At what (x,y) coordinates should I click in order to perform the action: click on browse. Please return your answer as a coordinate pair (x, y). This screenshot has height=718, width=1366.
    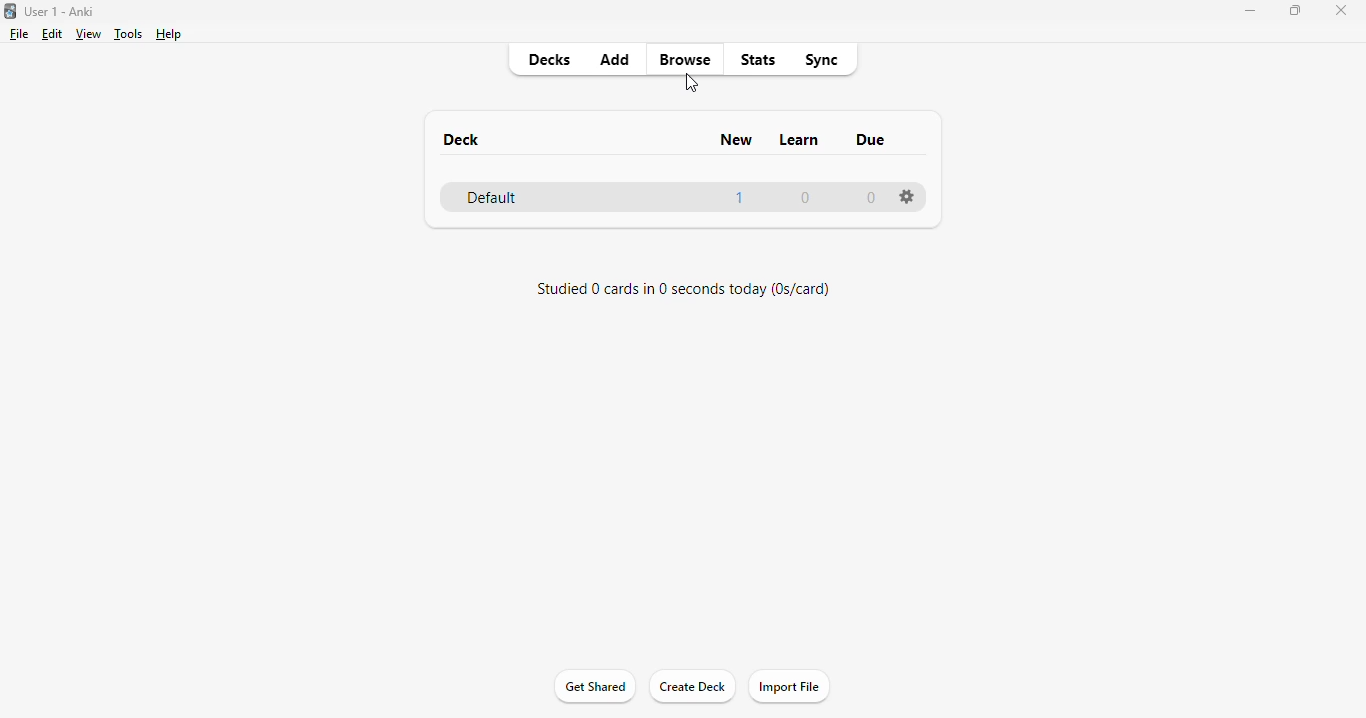
    Looking at the image, I should click on (685, 59).